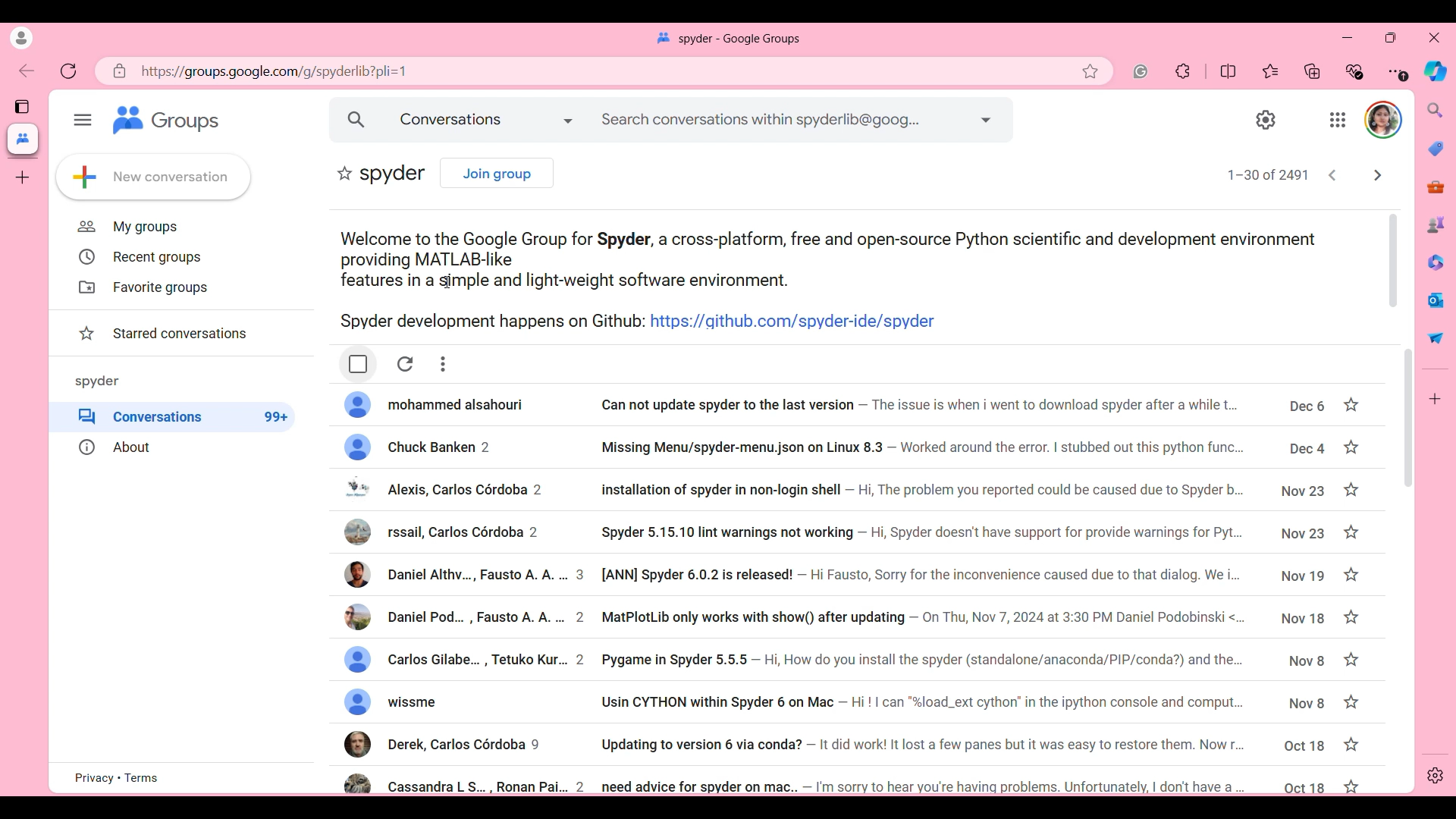 This screenshot has width=1456, height=819. What do you see at coordinates (67, 71) in the screenshot?
I see `Reload page` at bounding box center [67, 71].